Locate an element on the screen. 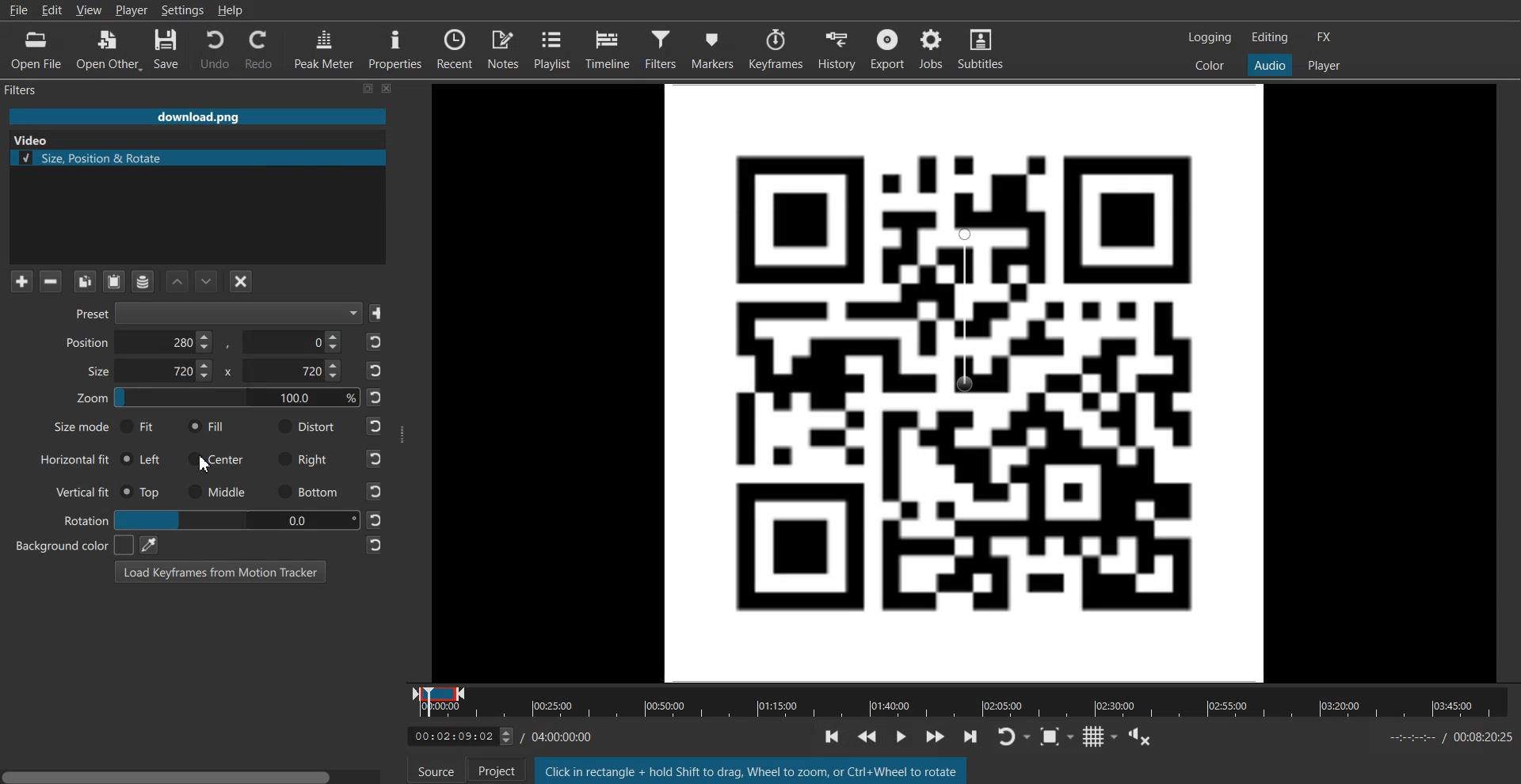 The image size is (1521, 784). Deselect the filter is located at coordinates (242, 281).